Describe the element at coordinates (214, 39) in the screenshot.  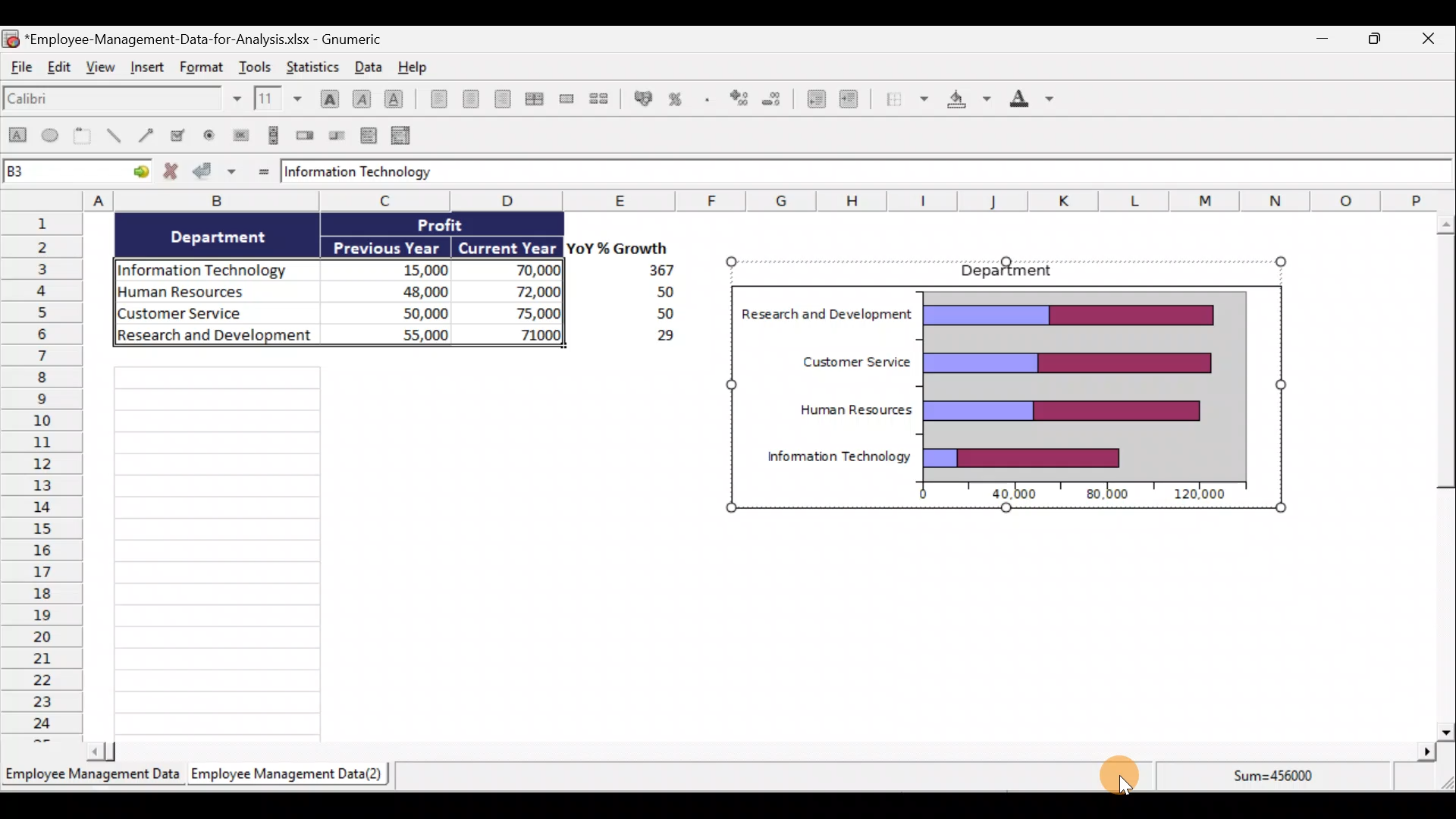
I see `*Employee-Management-Data-for-Analysis.xlsx - Gnumeric` at that location.